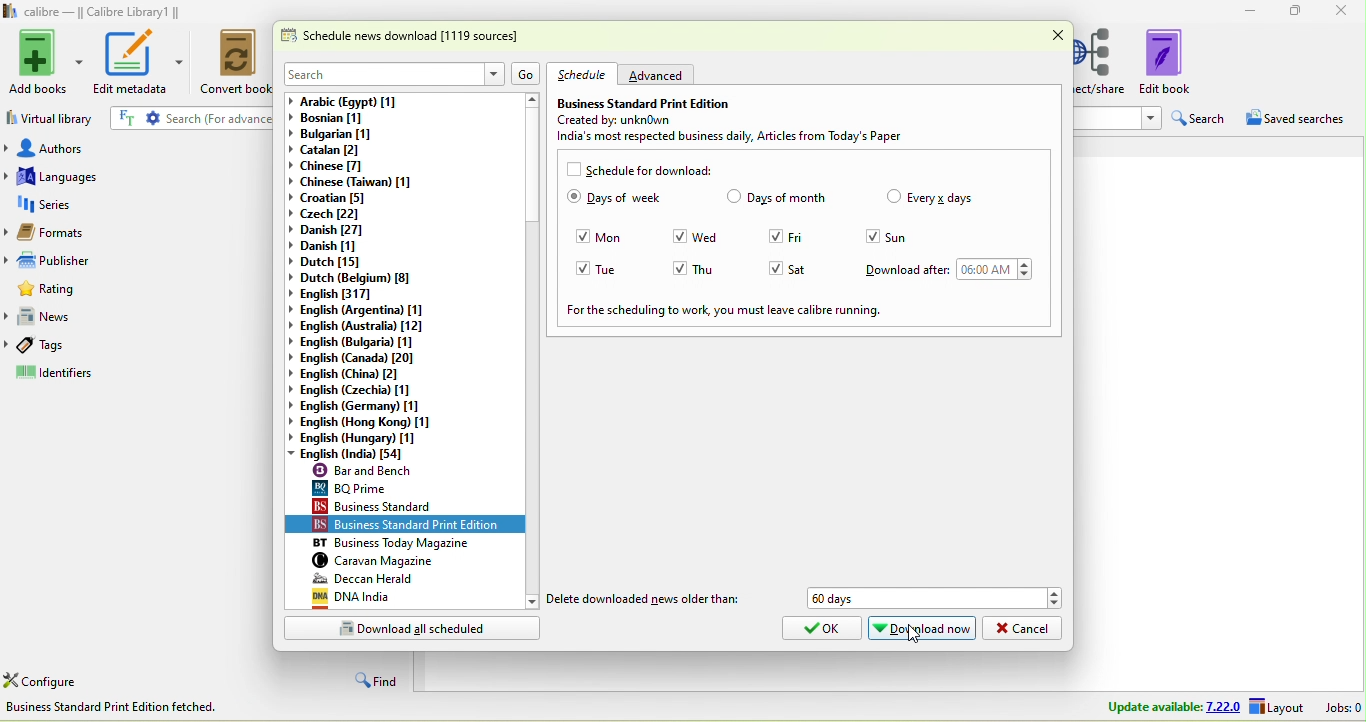  Describe the element at coordinates (921, 629) in the screenshot. I see `download now` at that location.